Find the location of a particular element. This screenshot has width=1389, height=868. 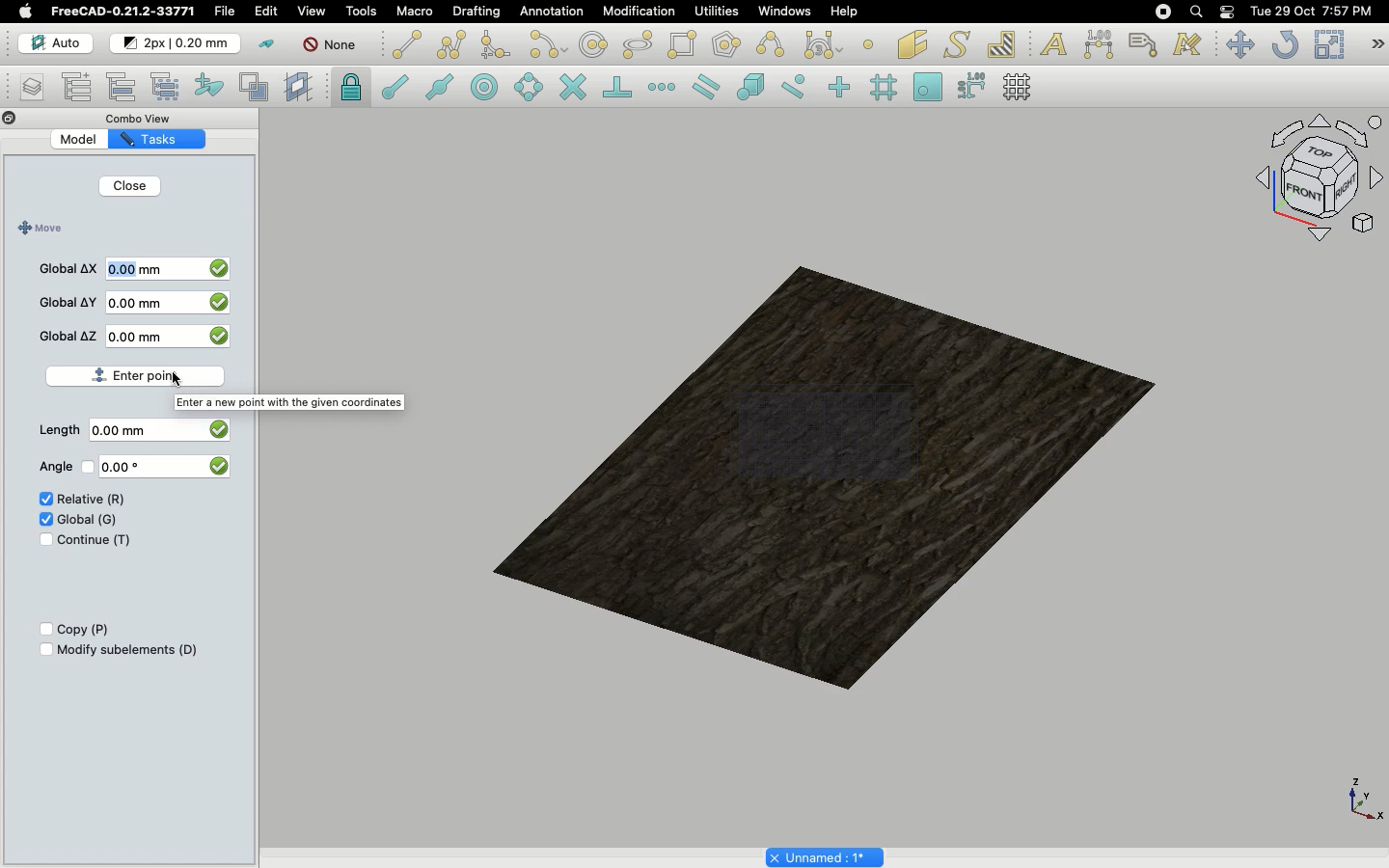

Snap center is located at coordinates (490, 86).